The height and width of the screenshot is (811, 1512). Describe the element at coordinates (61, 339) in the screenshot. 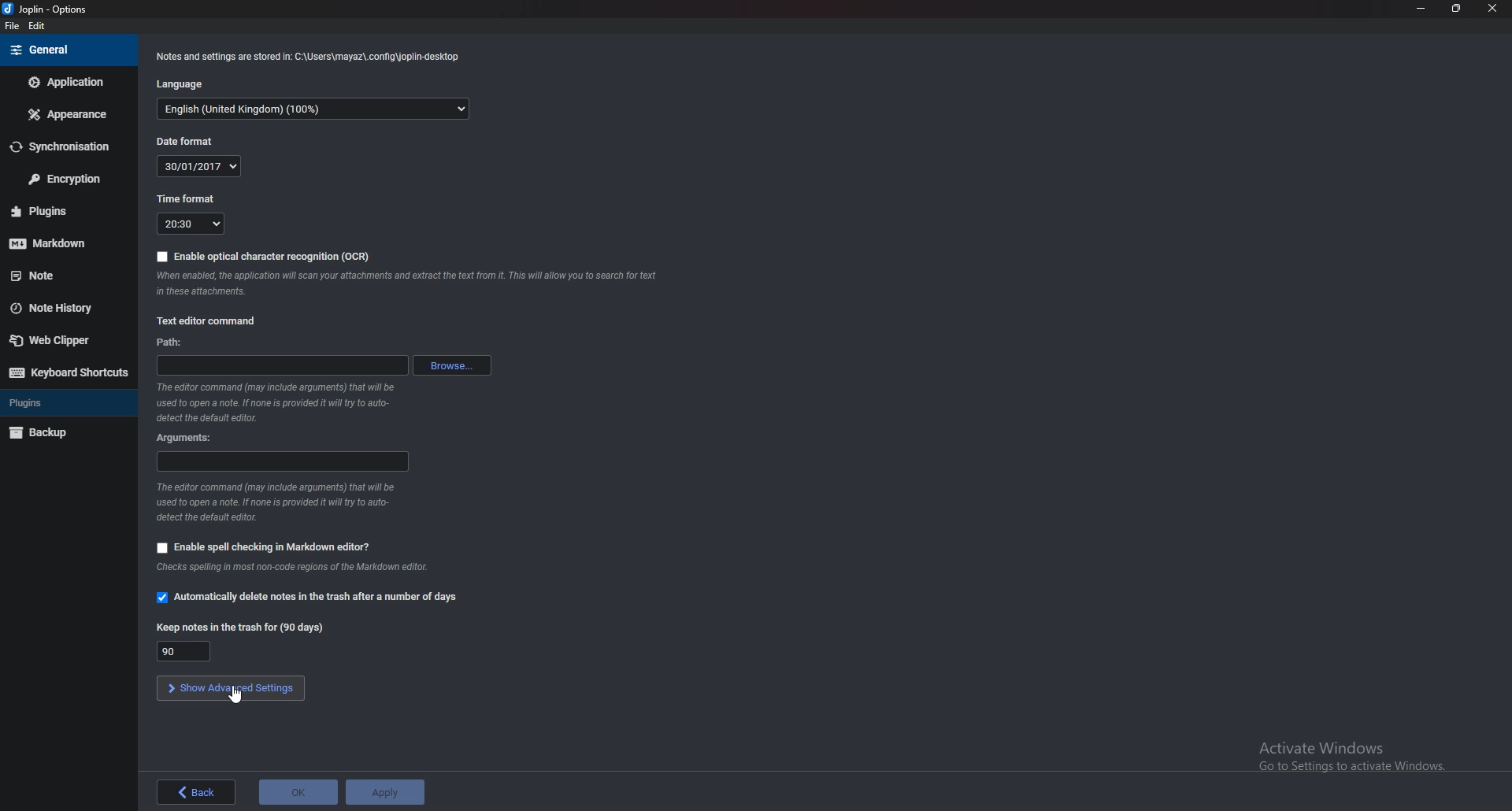

I see `Web clipper` at that location.